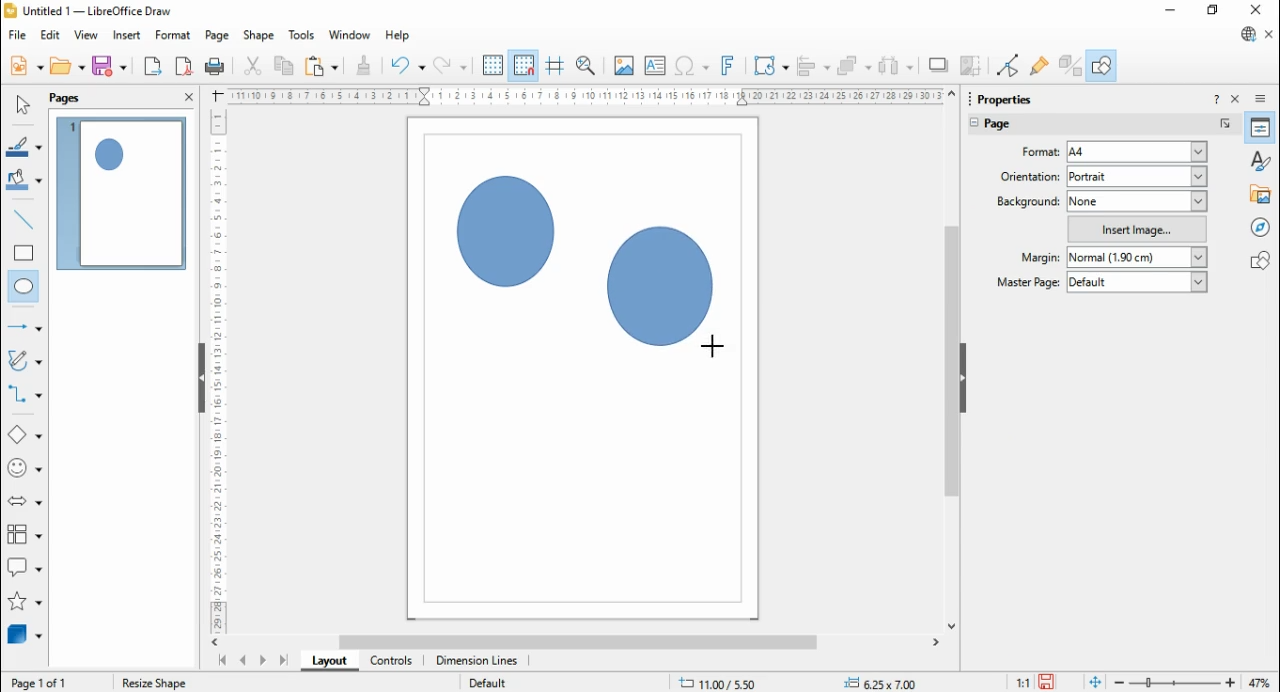 The width and height of the screenshot is (1280, 692). I want to click on portrait, so click(1137, 176).